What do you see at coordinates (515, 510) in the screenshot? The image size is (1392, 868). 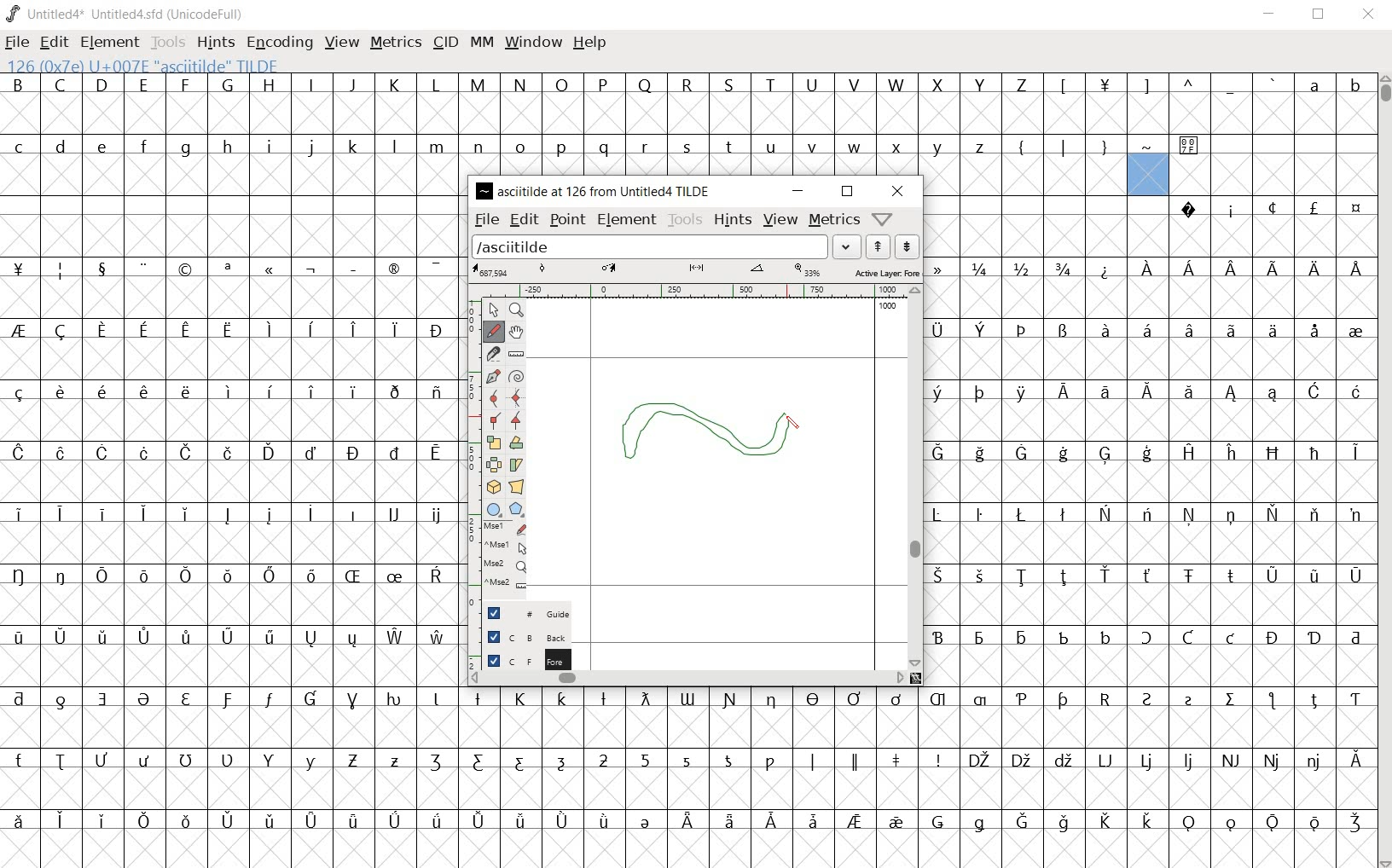 I see `polygon or star` at bounding box center [515, 510].